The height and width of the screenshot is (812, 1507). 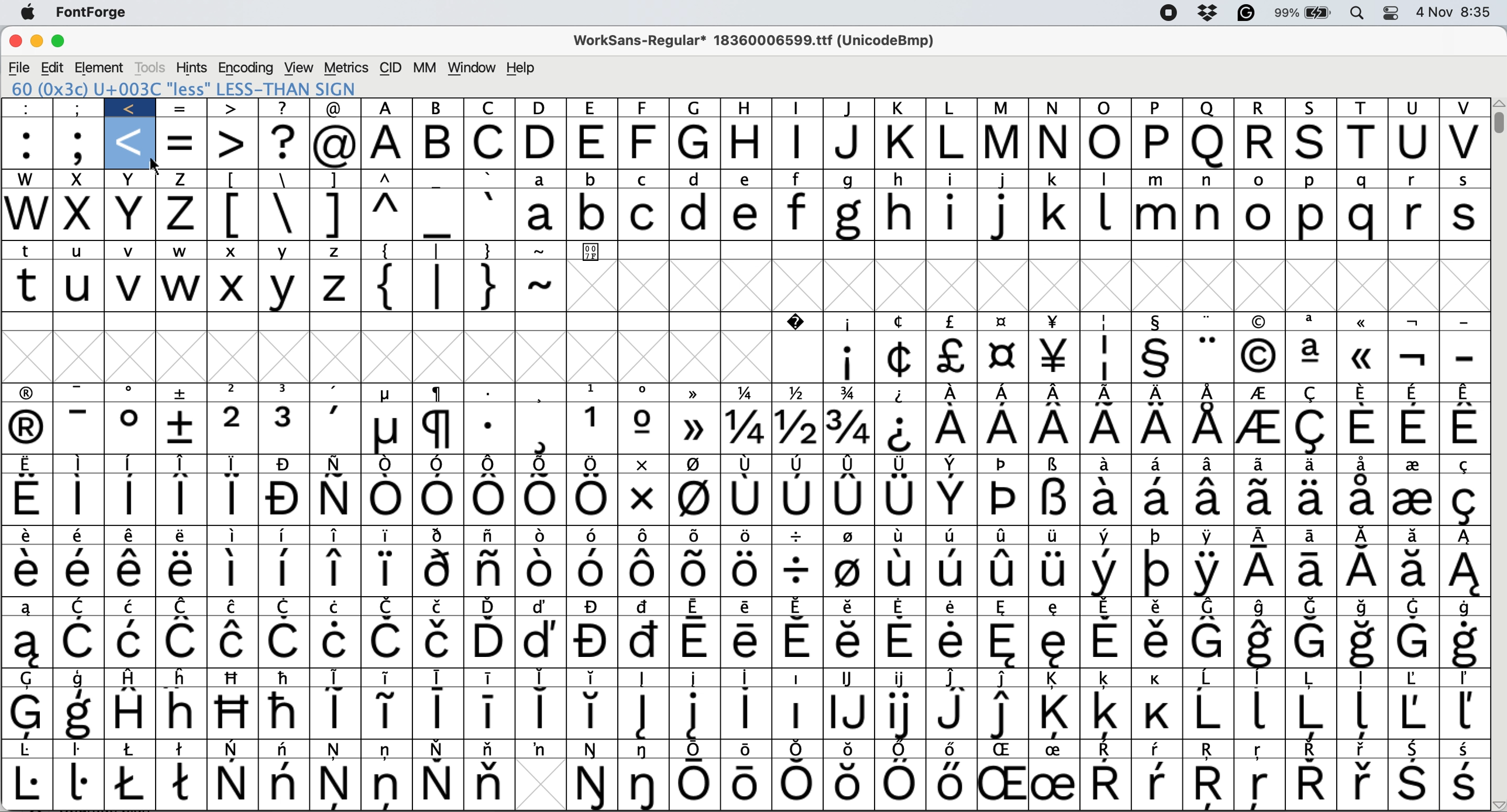 What do you see at coordinates (1464, 749) in the screenshot?
I see `Symbol` at bounding box center [1464, 749].